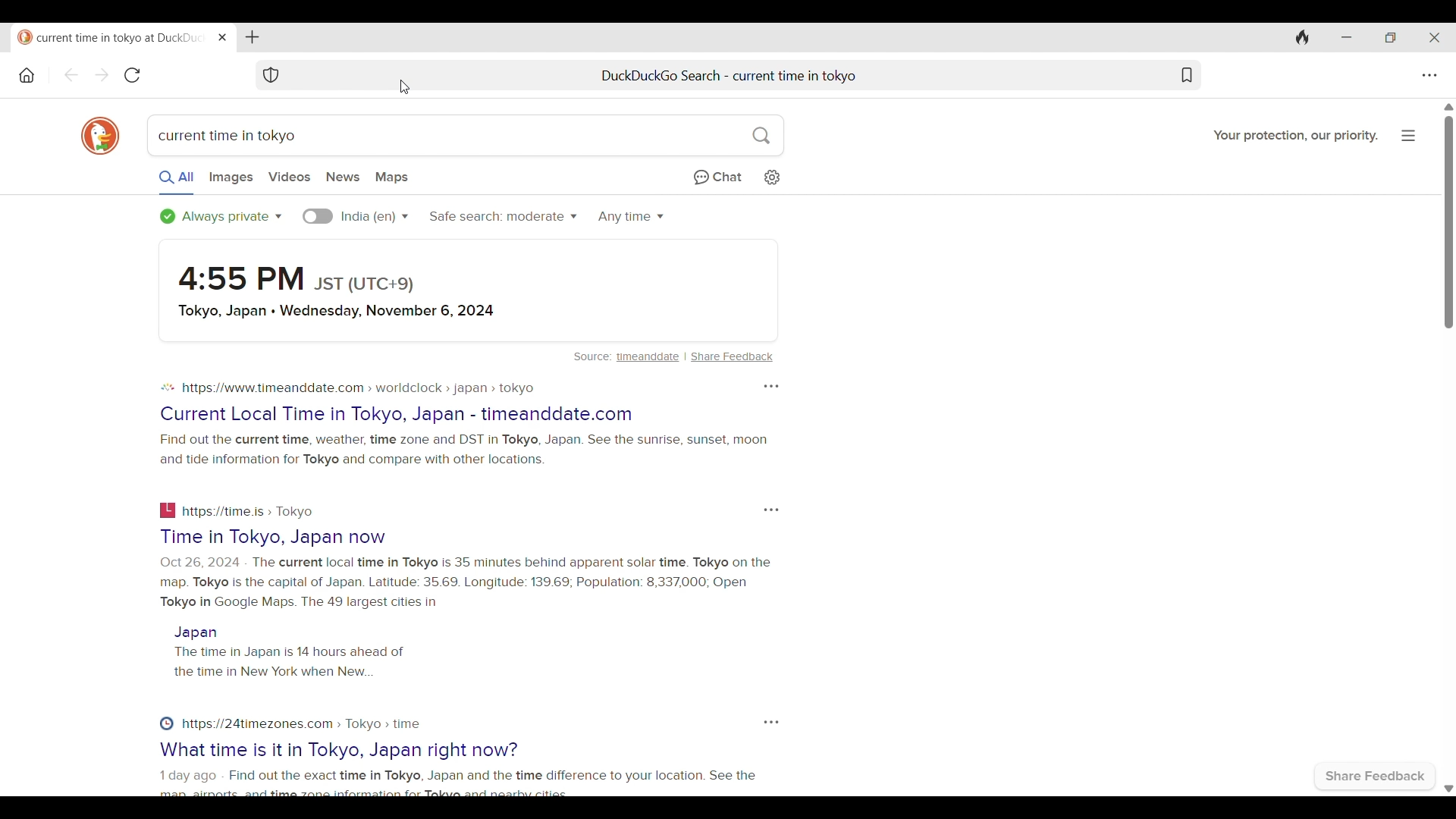  What do you see at coordinates (340, 311) in the screenshot?
I see `Tokyo, Japan + Wednesday, November 6, 2024` at bounding box center [340, 311].